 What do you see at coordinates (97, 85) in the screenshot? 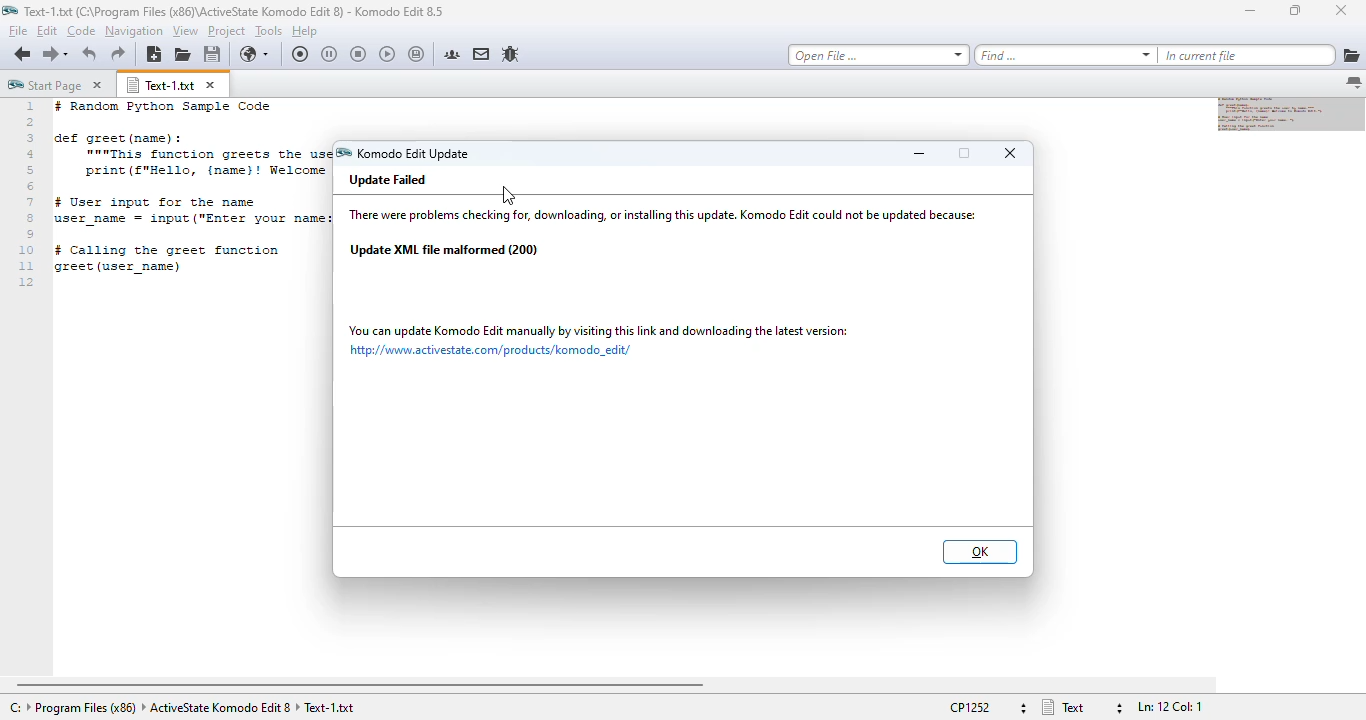
I see `close tab` at bounding box center [97, 85].